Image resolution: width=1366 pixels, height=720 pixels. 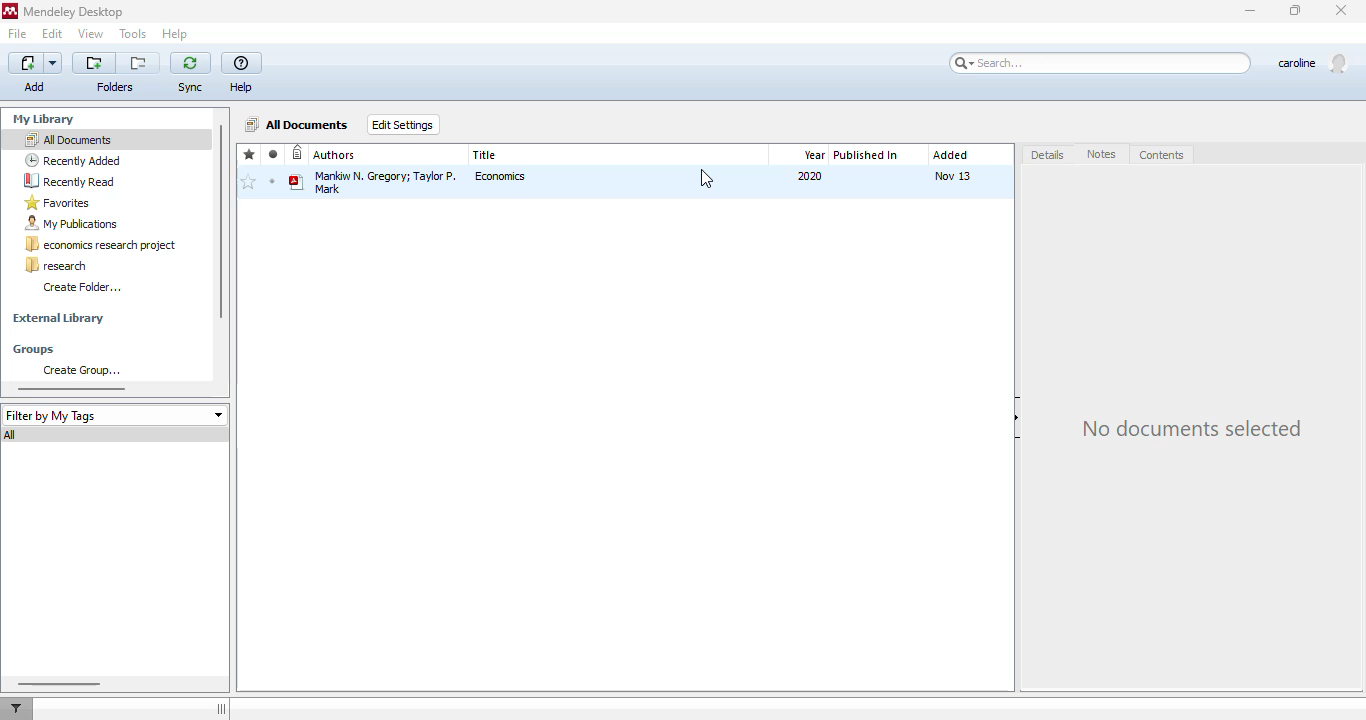 I want to click on profile, so click(x=1312, y=64).